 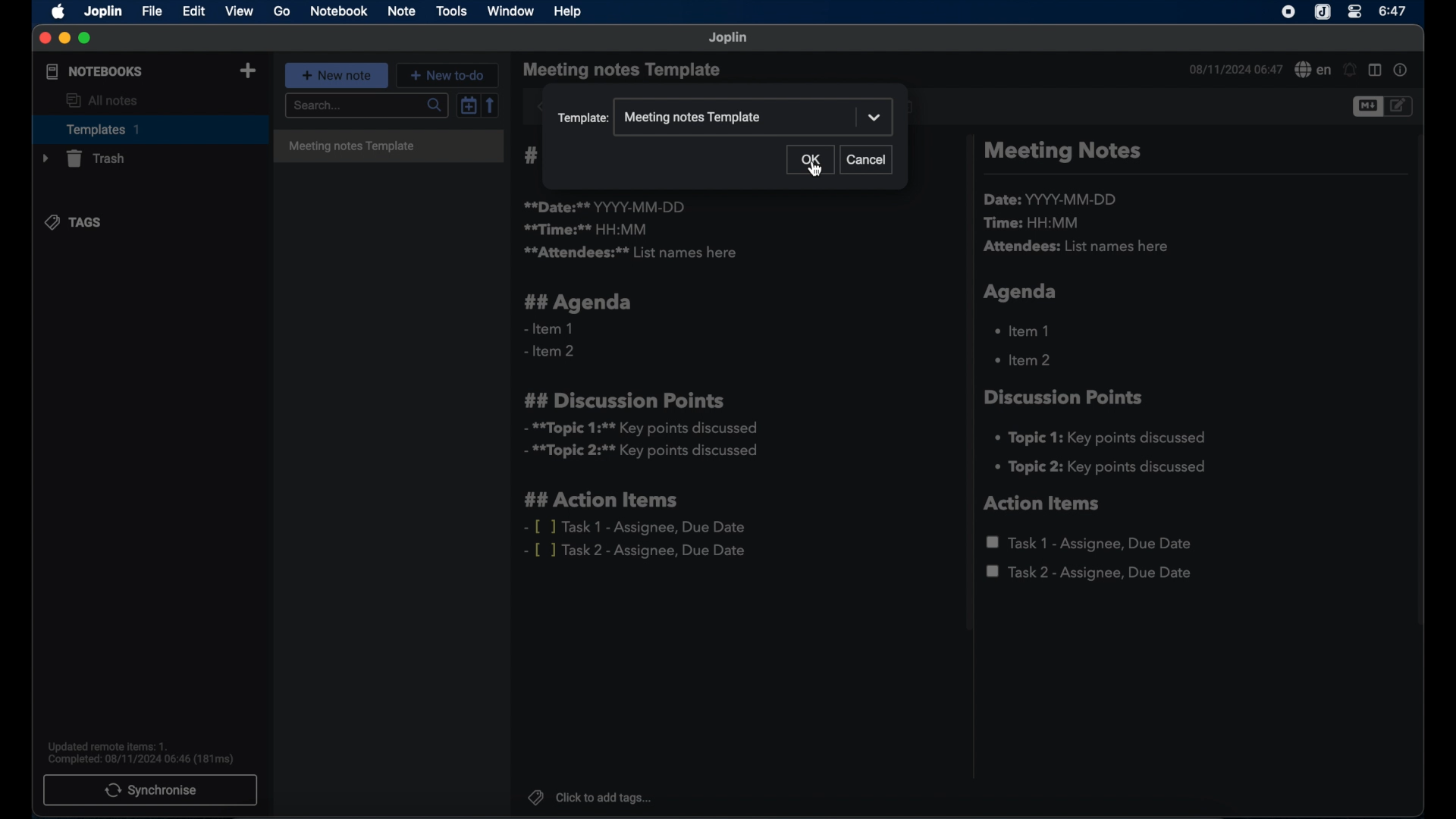 What do you see at coordinates (388, 147) in the screenshot?
I see `meeting notes template ` at bounding box center [388, 147].